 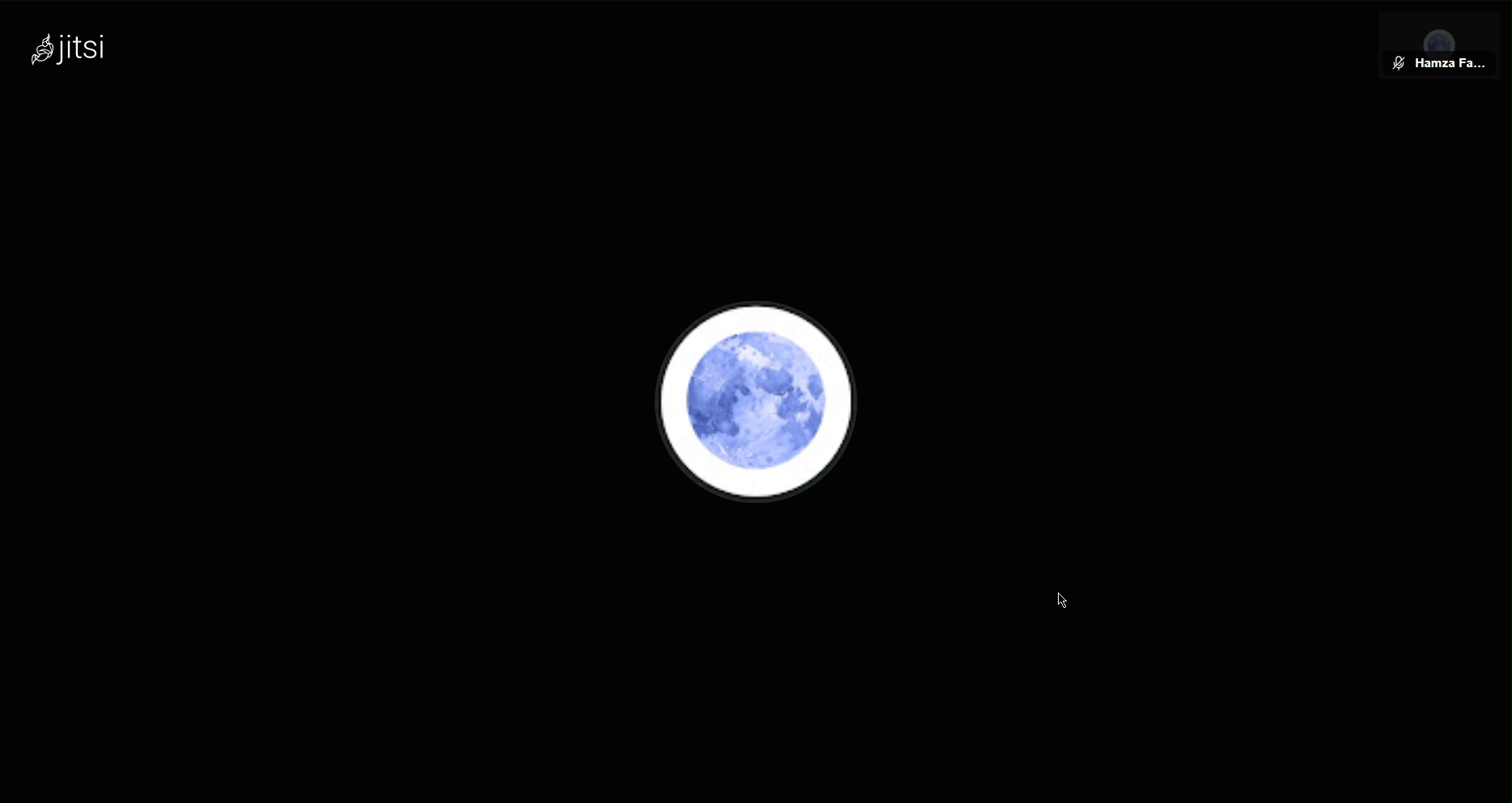 What do you see at coordinates (84, 49) in the screenshot?
I see `jitsi` at bounding box center [84, 49].